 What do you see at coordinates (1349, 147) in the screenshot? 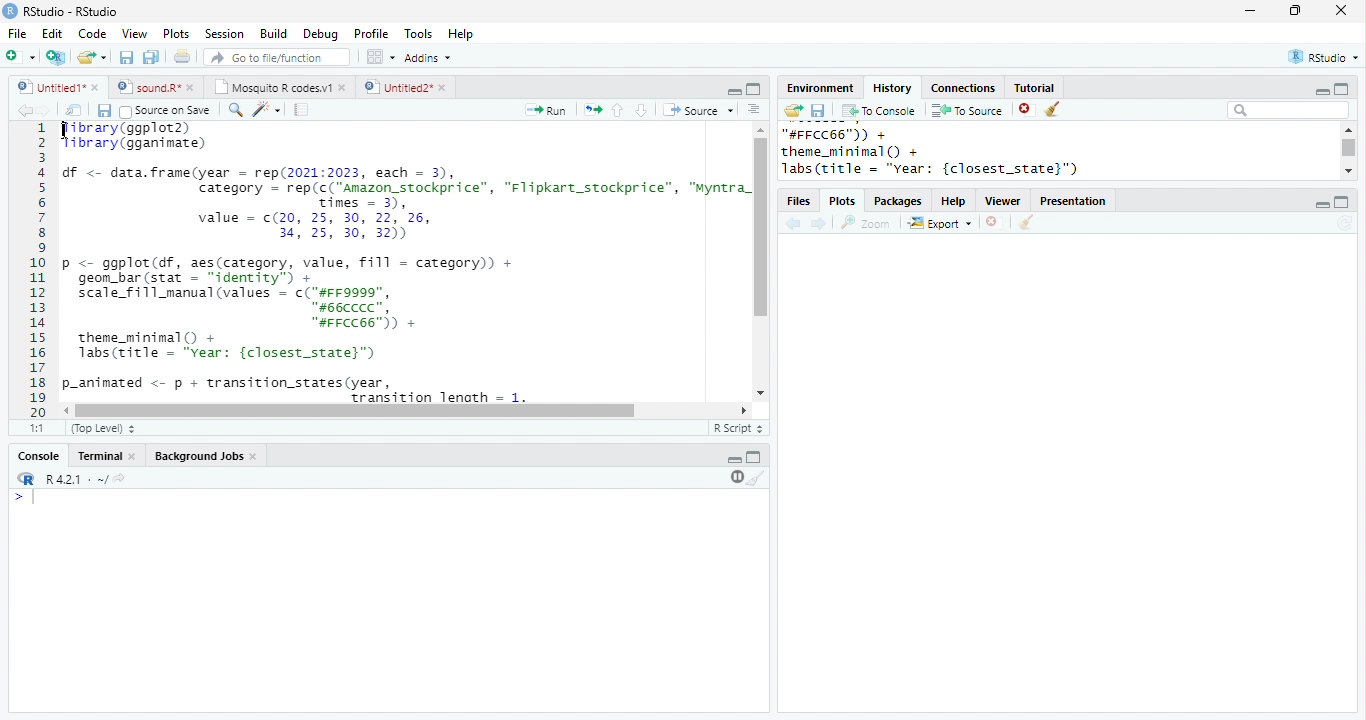
I see `scroll bar` at bounding box center [1349, 147].